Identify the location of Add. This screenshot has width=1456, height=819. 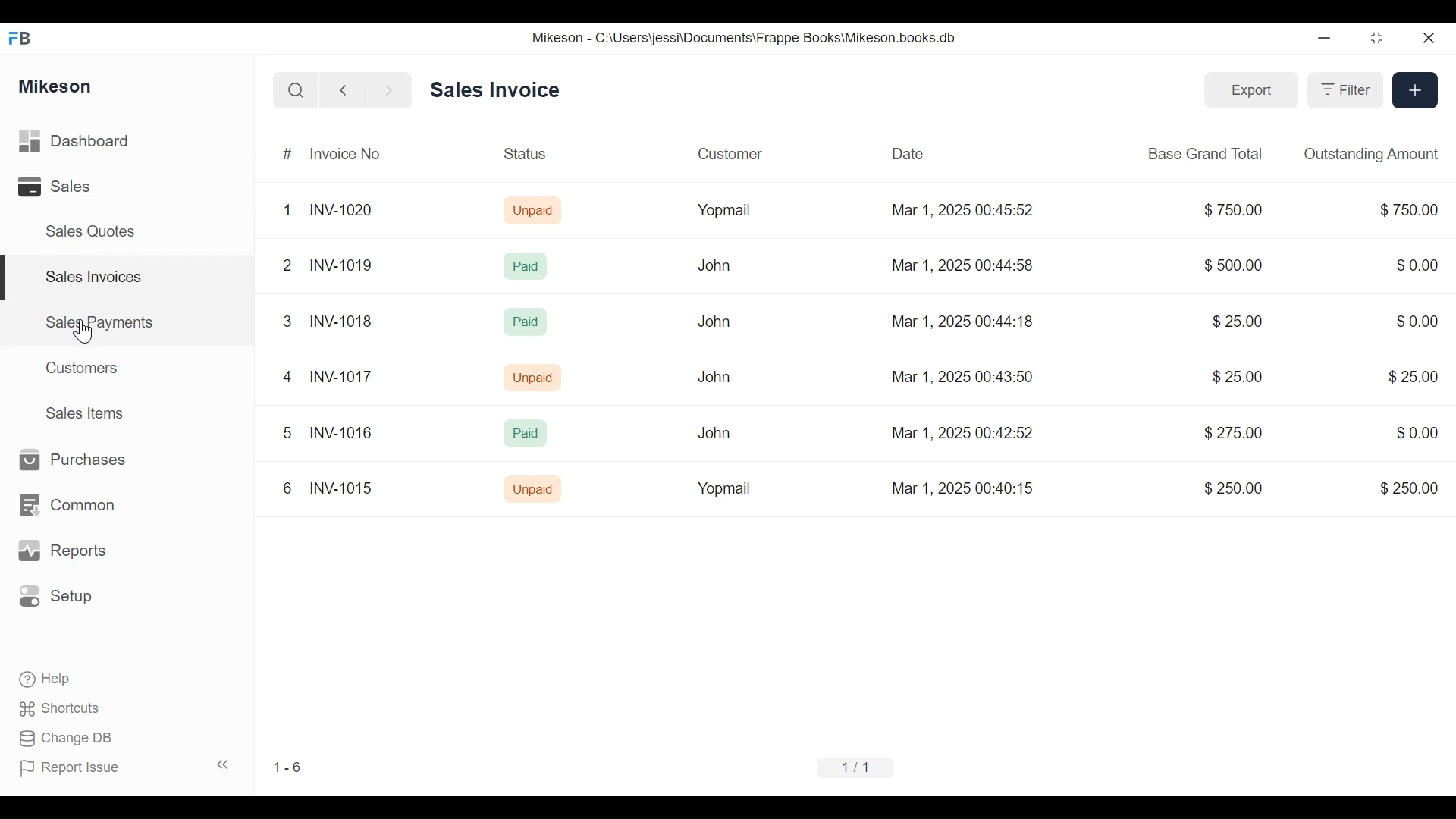
(1414, 89).